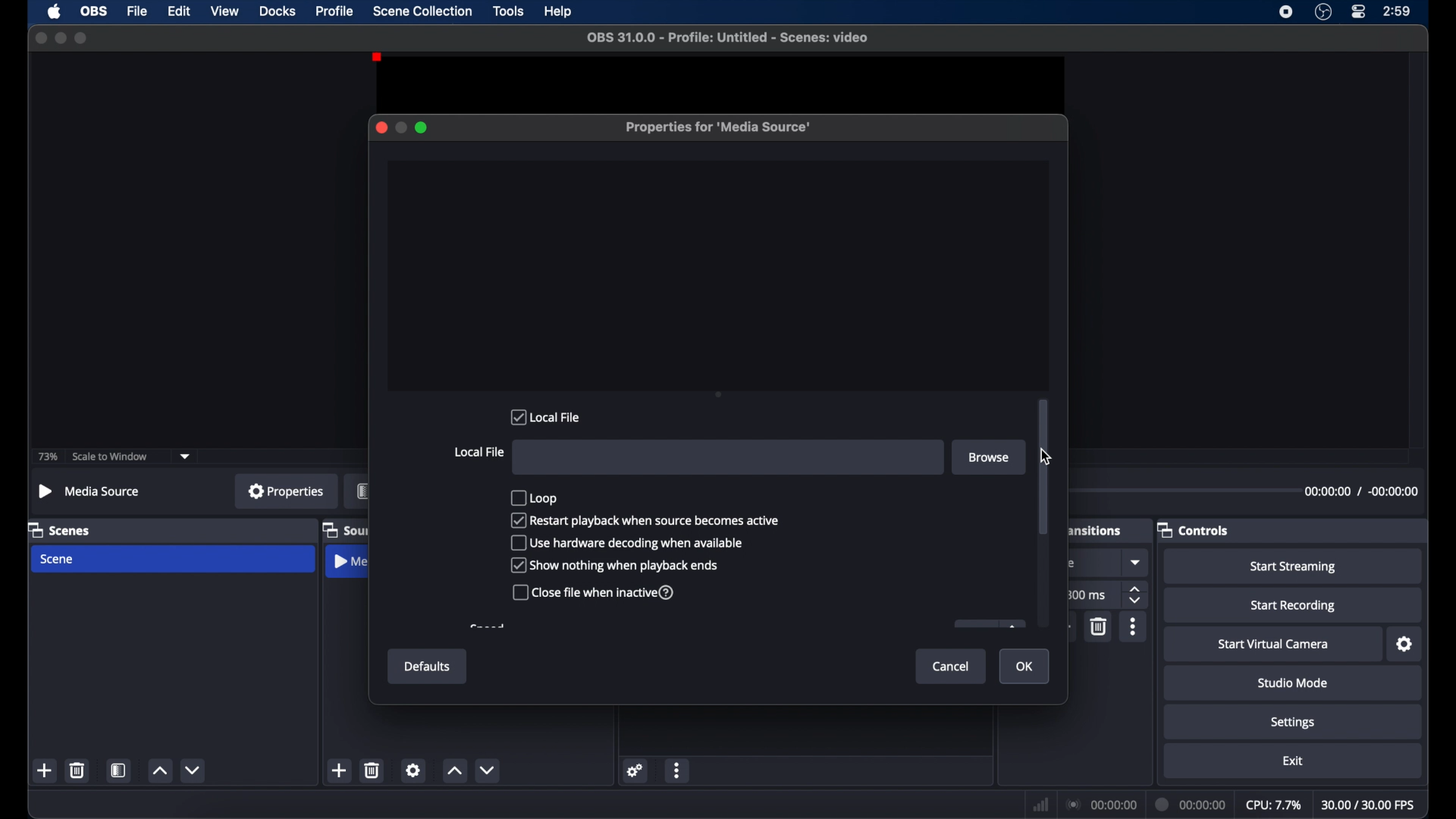  I want to click on obscure label, so click(1096, 529).